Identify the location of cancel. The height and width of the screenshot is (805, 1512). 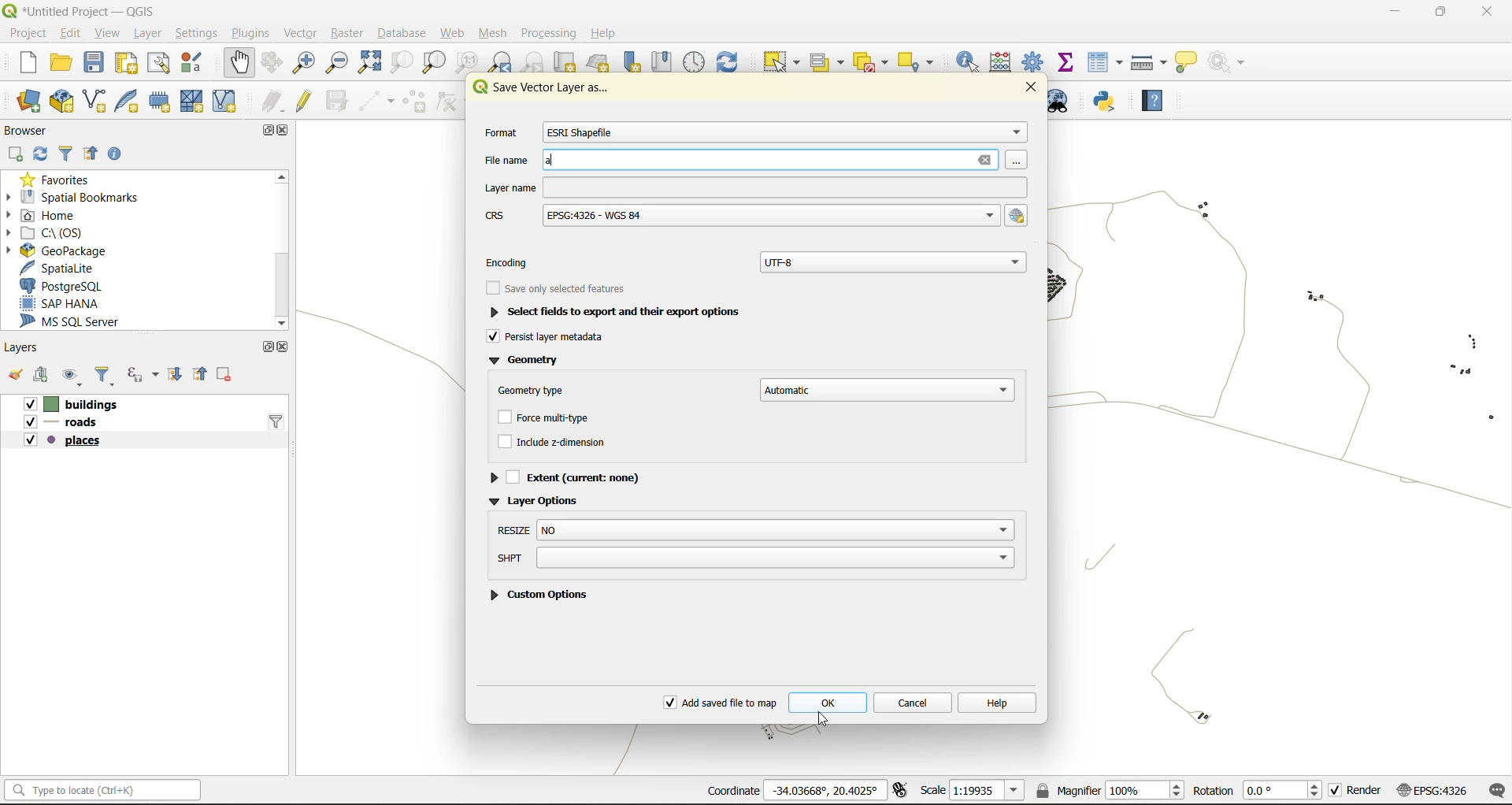
(915, 703).